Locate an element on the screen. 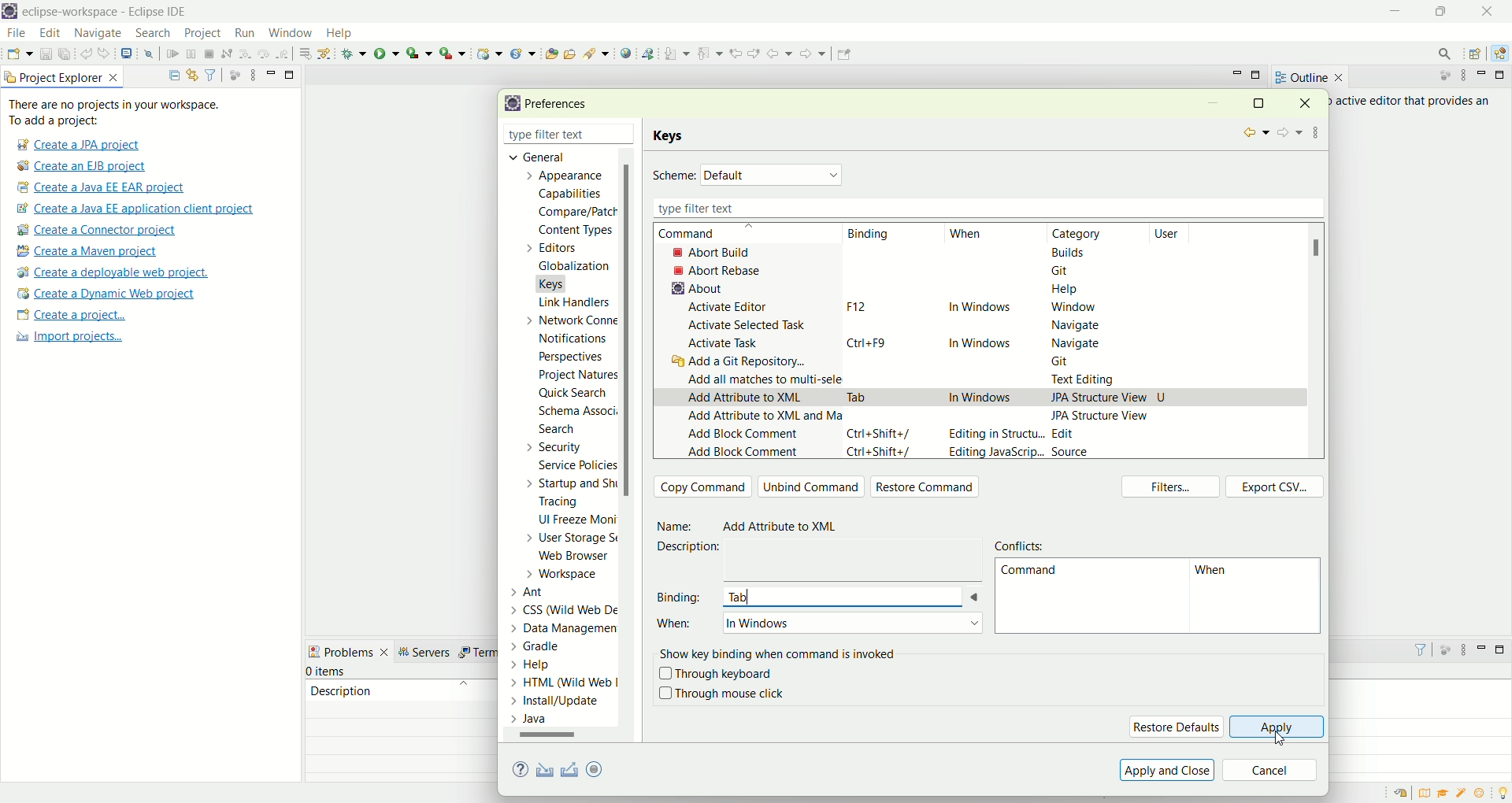  activate selected task is located at coordinates (748, 324).